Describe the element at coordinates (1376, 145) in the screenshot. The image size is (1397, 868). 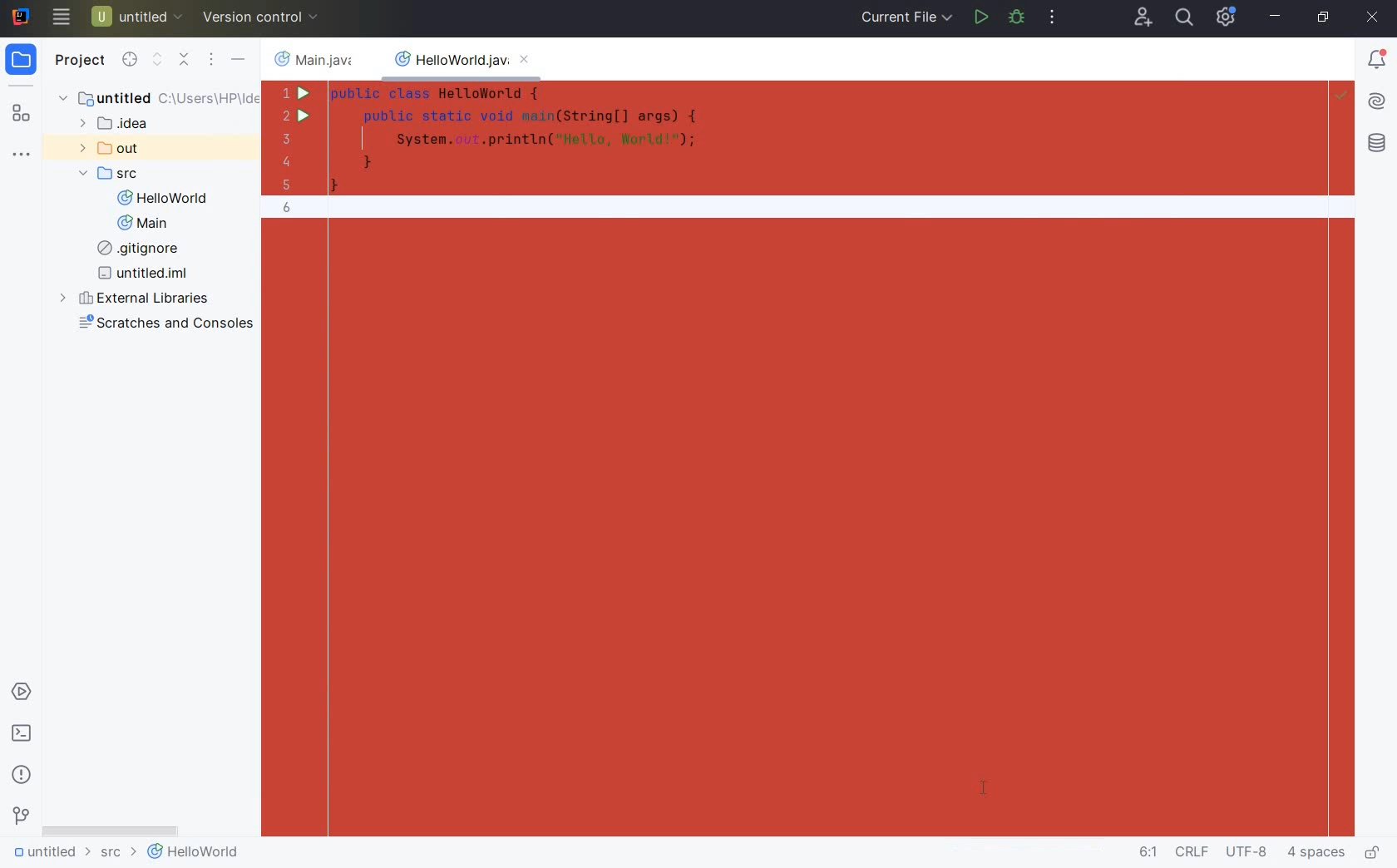
I see `database` at that location.